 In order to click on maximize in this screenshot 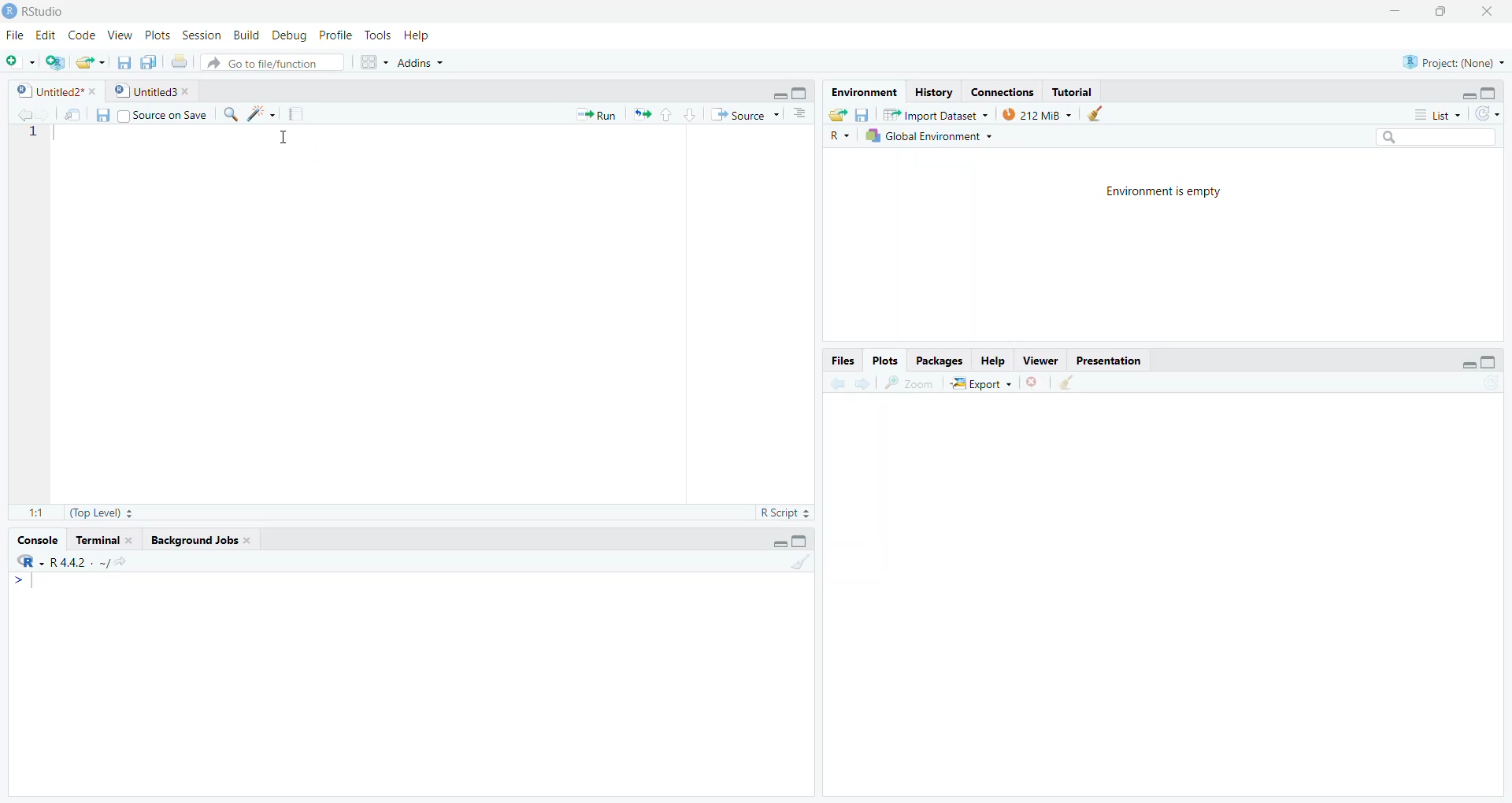, I will do `click(806, 542)`.